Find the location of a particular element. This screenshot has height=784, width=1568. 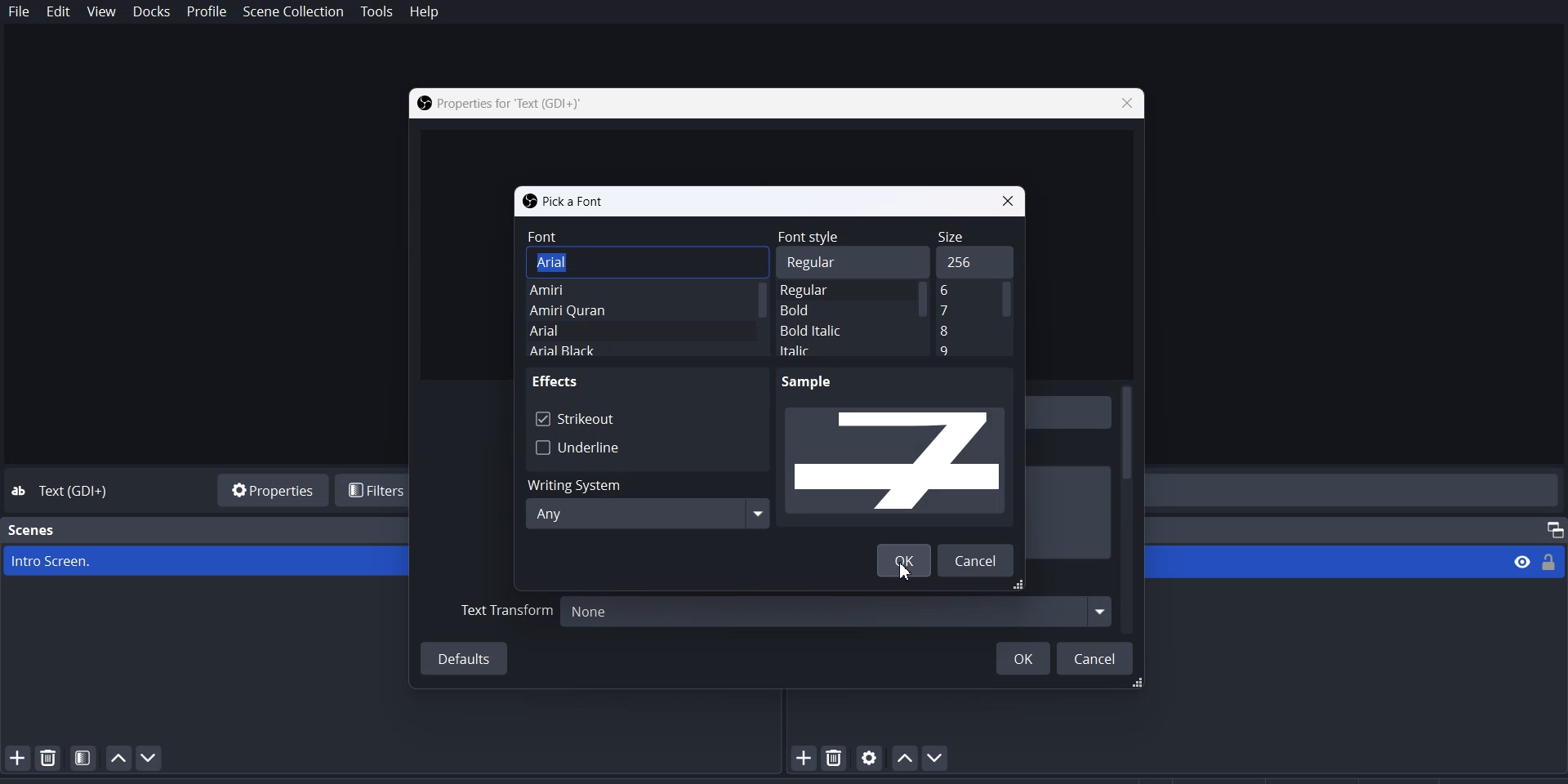

Regular is located at coordinates (823, 292).